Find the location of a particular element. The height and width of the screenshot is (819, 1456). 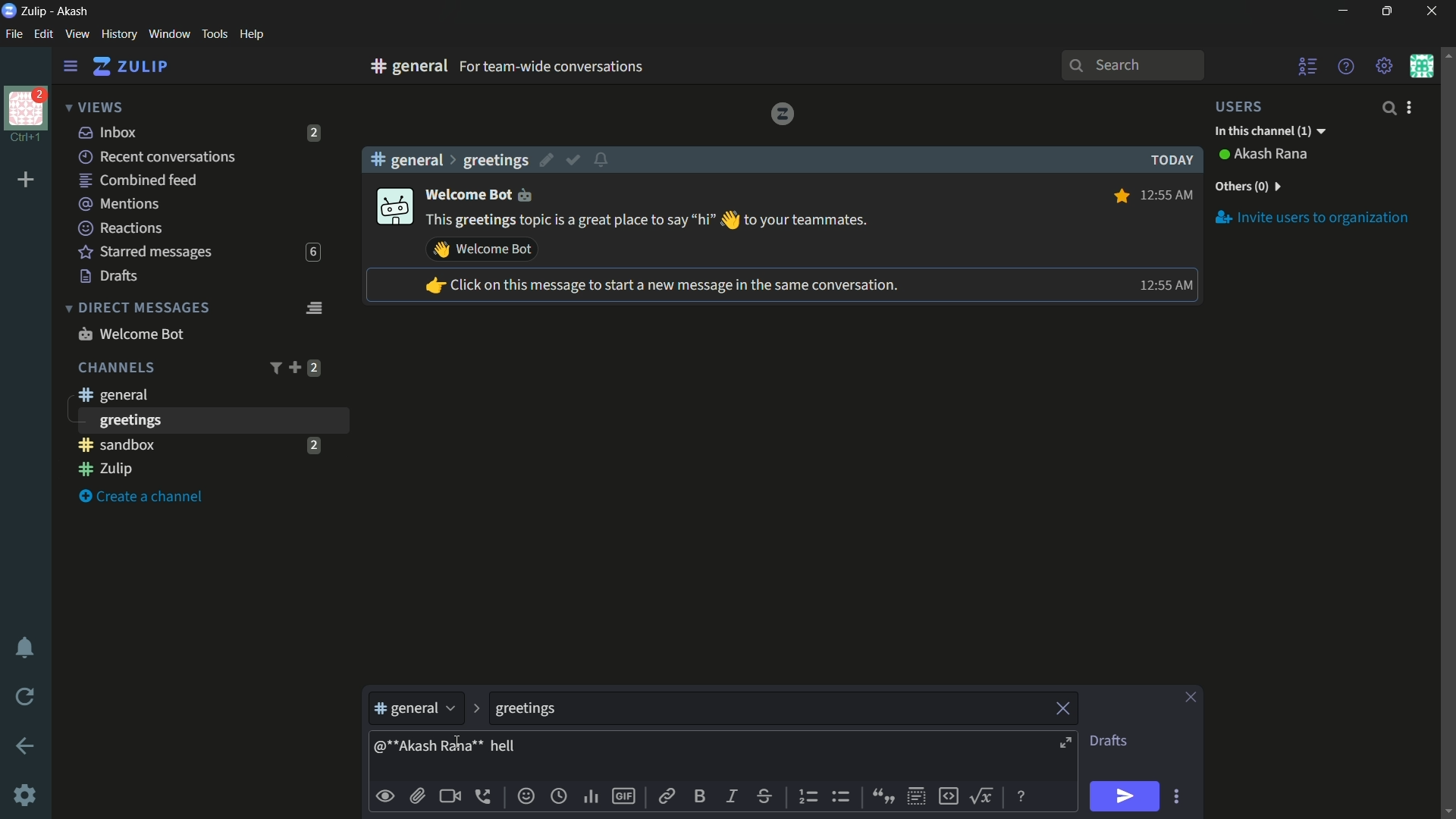

view menu is located at coordinates (77, 33).